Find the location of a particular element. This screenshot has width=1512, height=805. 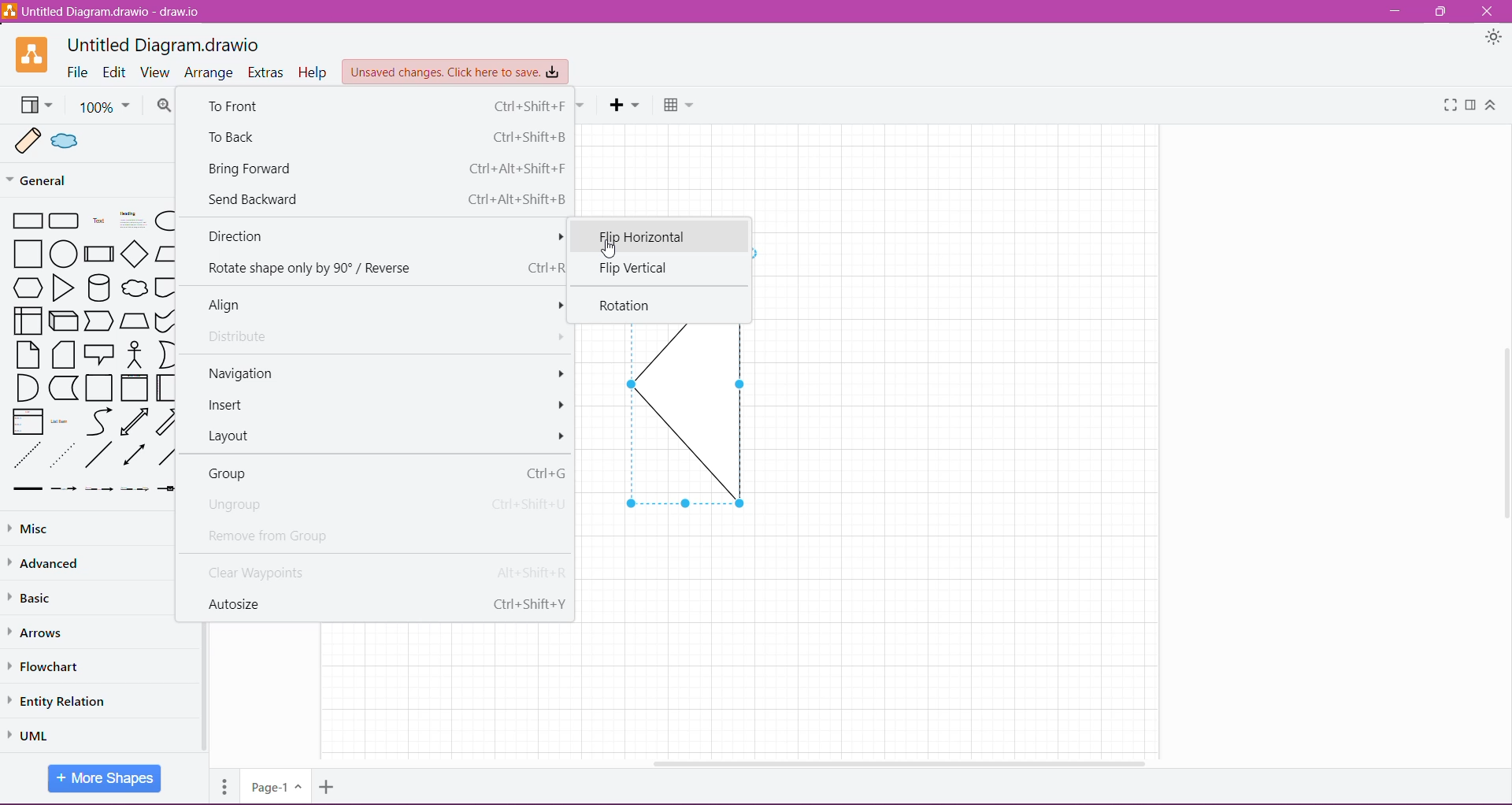

General is located at coordinates (69, 180).